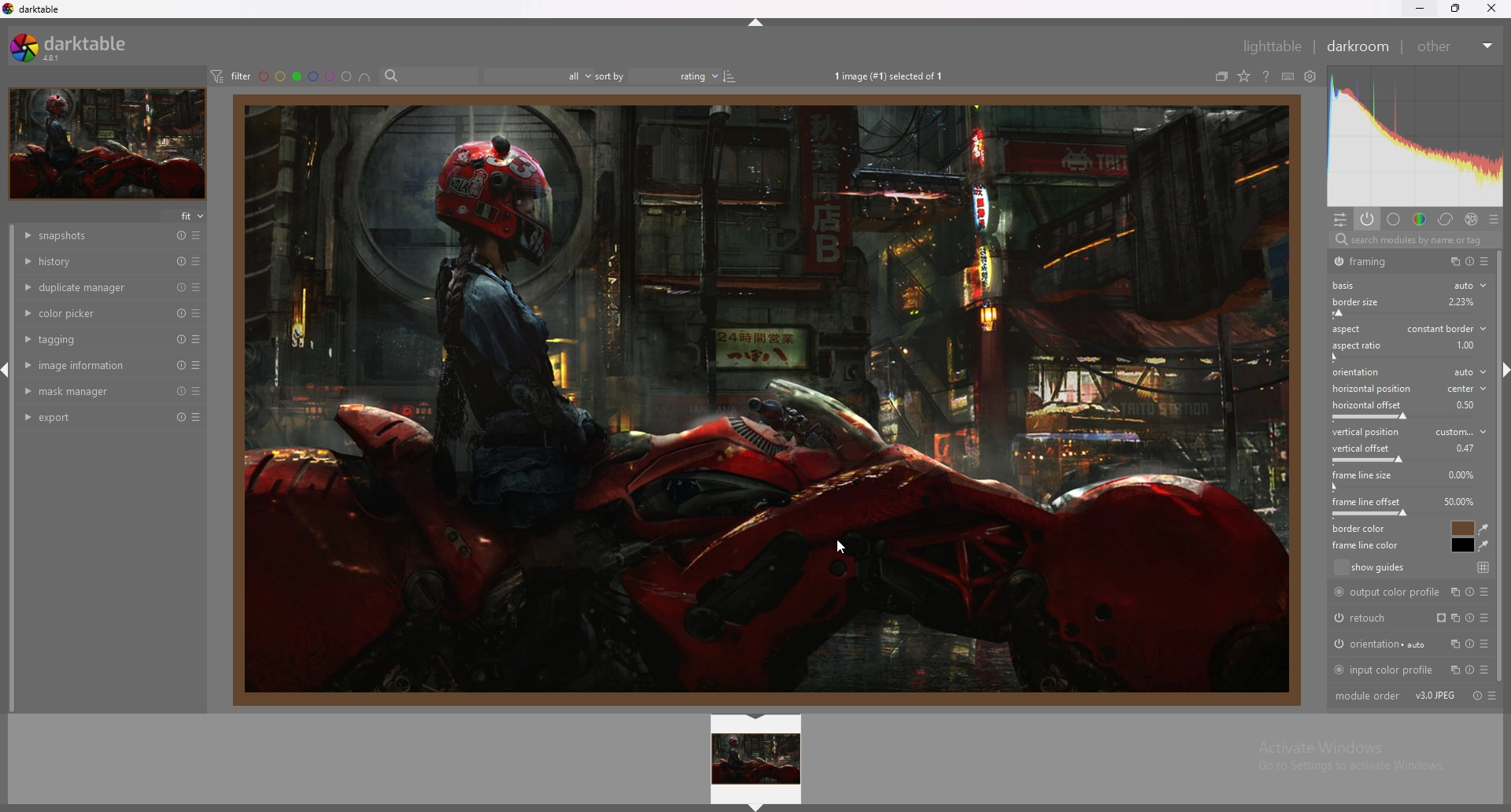 Image resolution: width=1511 pixels, height=812 pixels. Describe the element at coordinates (33, 9) in the screenshot. I see `darktable` at that location.